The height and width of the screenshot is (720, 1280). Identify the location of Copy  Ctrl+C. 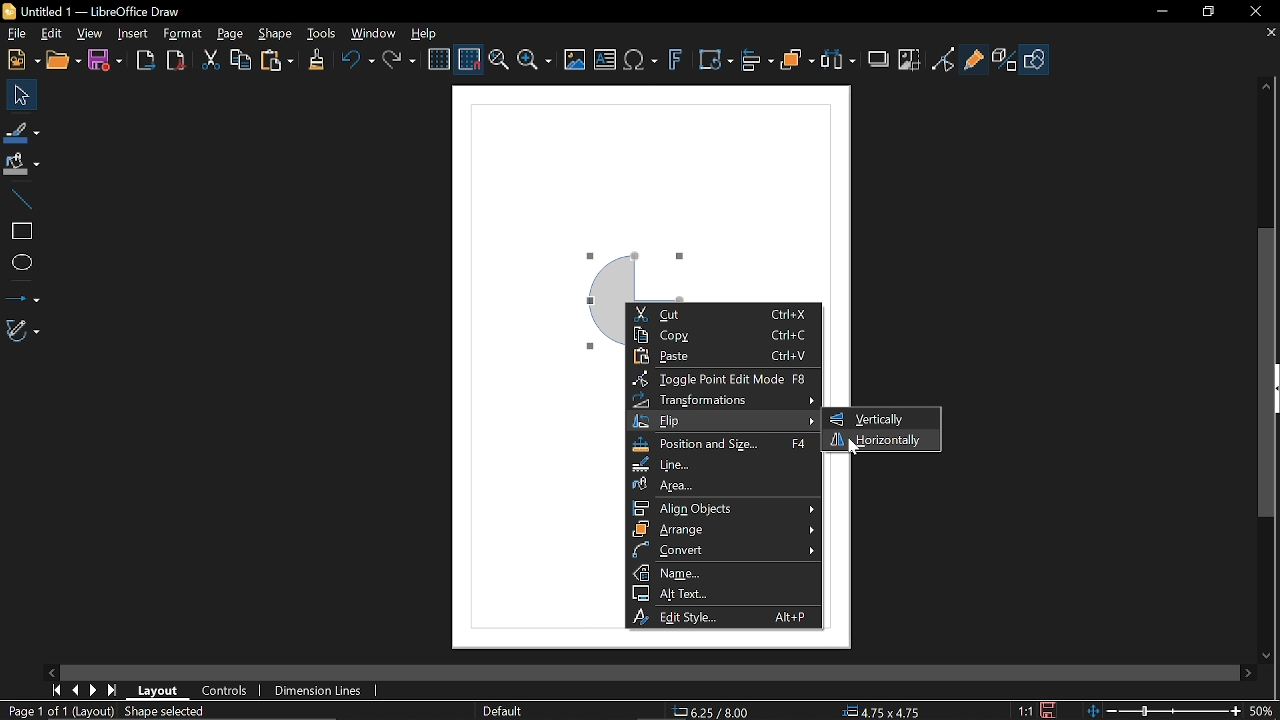
(722, 335).